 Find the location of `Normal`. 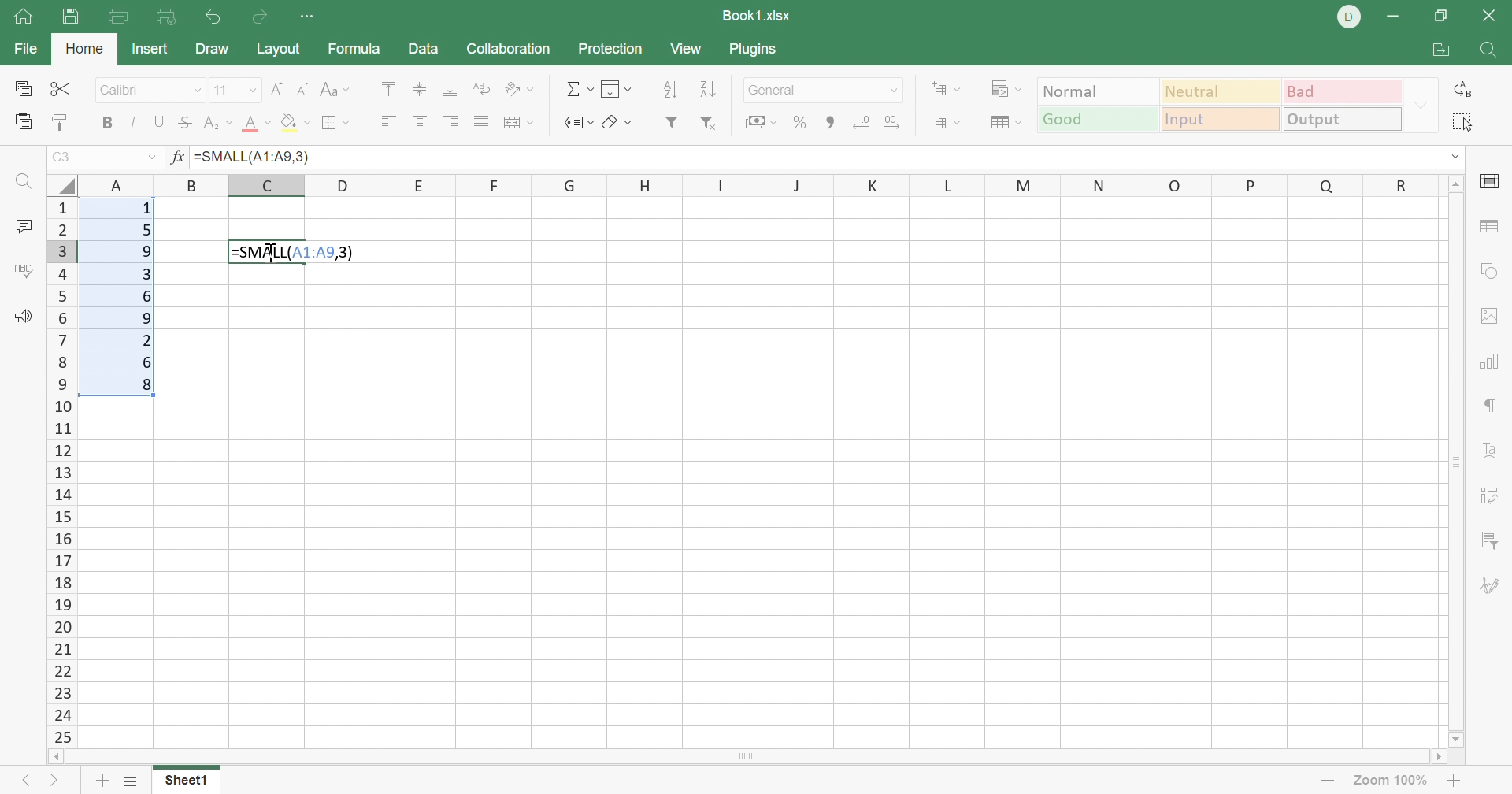

Normal is located at coordinates (1096, 88).